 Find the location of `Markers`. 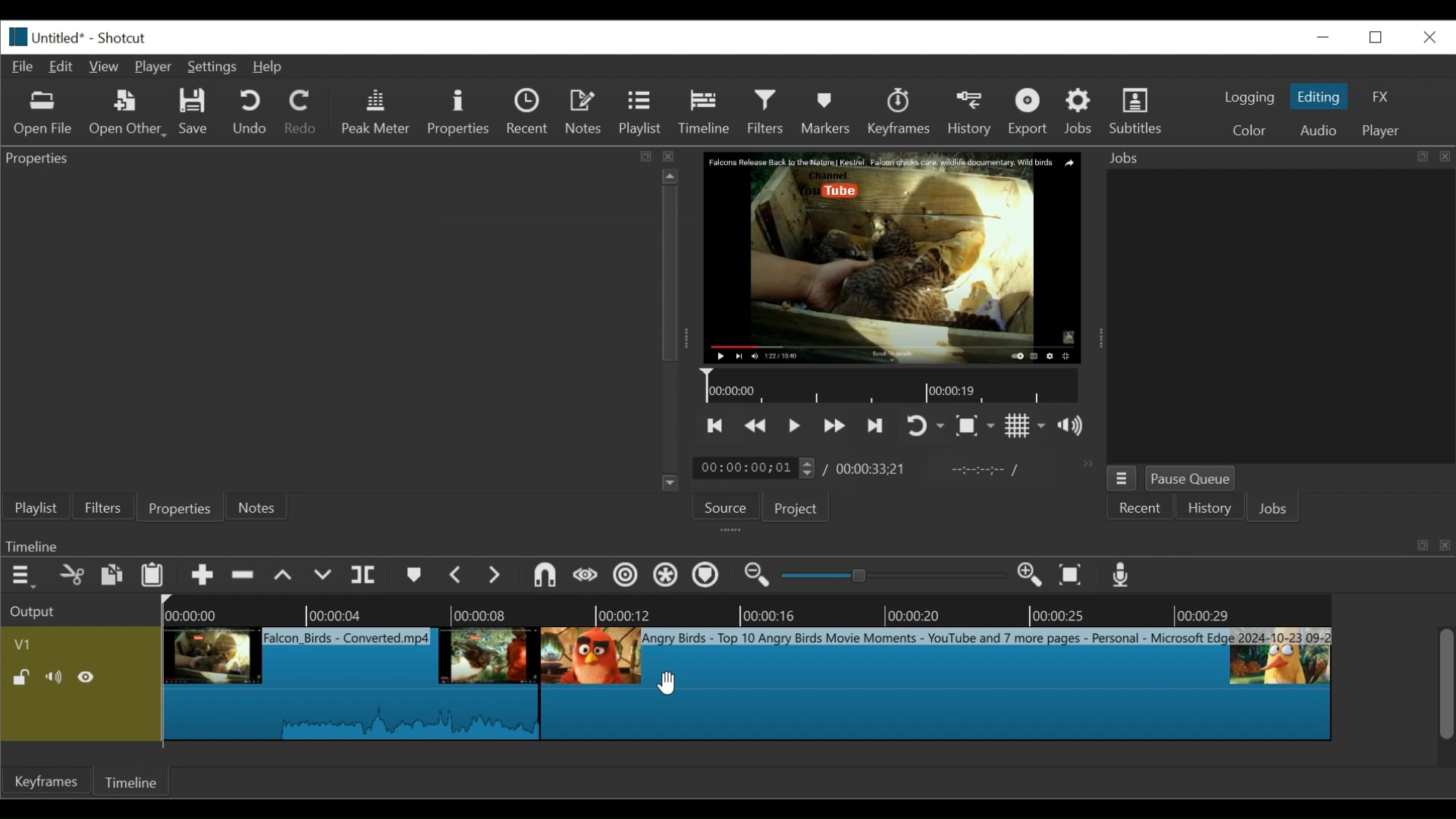

Markers is located at coordinates (415, 574).